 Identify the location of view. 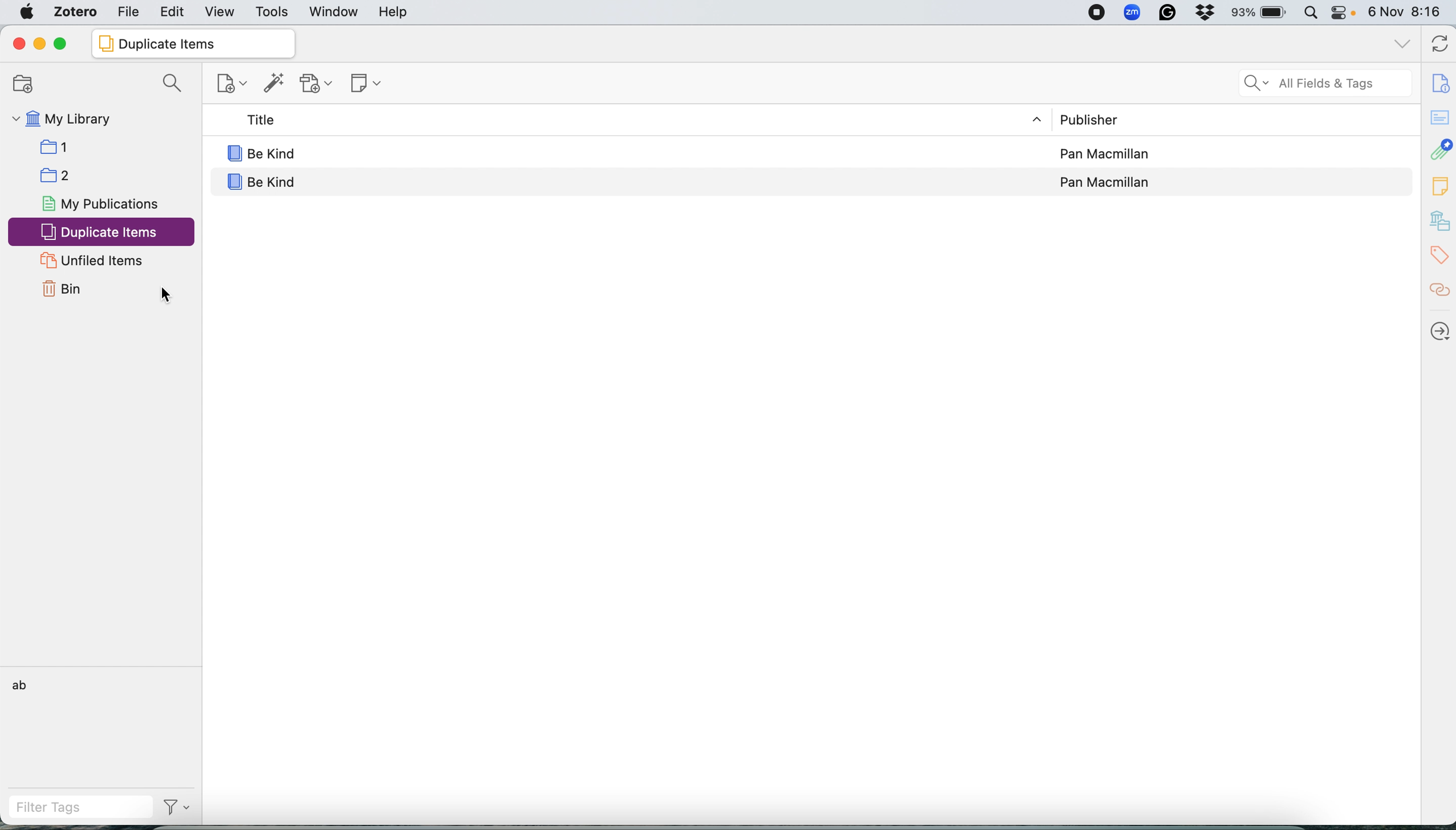
(219, 13).